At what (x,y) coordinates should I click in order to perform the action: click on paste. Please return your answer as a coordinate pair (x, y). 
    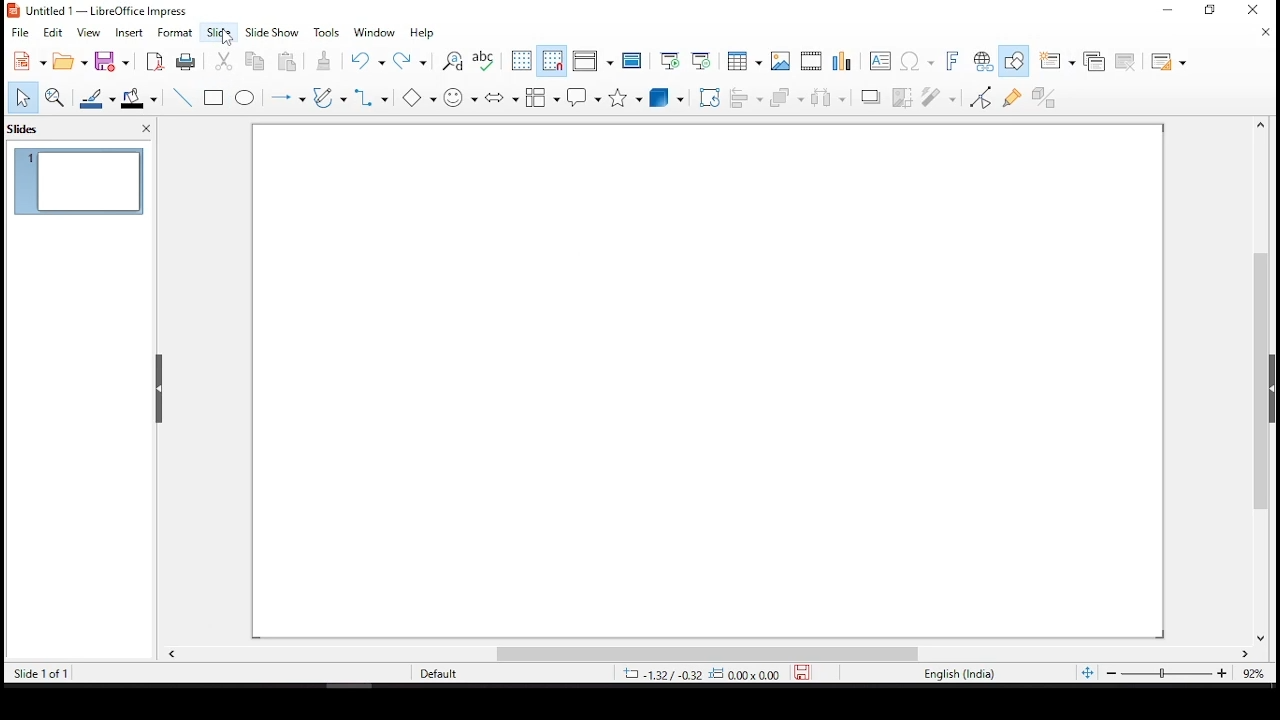
    Looking at the image, I should click on (291, 60).